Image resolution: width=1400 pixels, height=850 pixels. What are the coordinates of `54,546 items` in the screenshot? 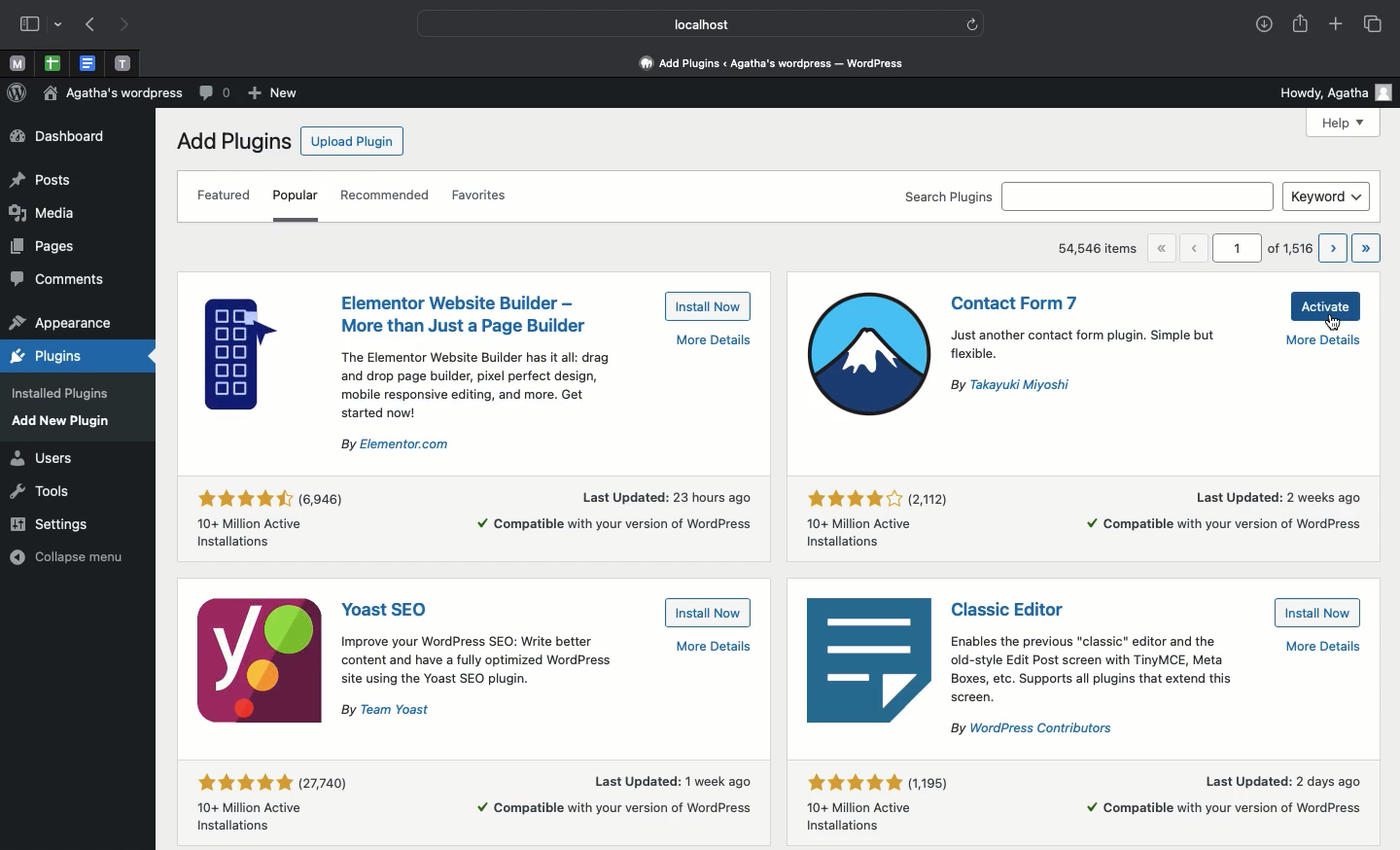 It's located at (1100, 251).